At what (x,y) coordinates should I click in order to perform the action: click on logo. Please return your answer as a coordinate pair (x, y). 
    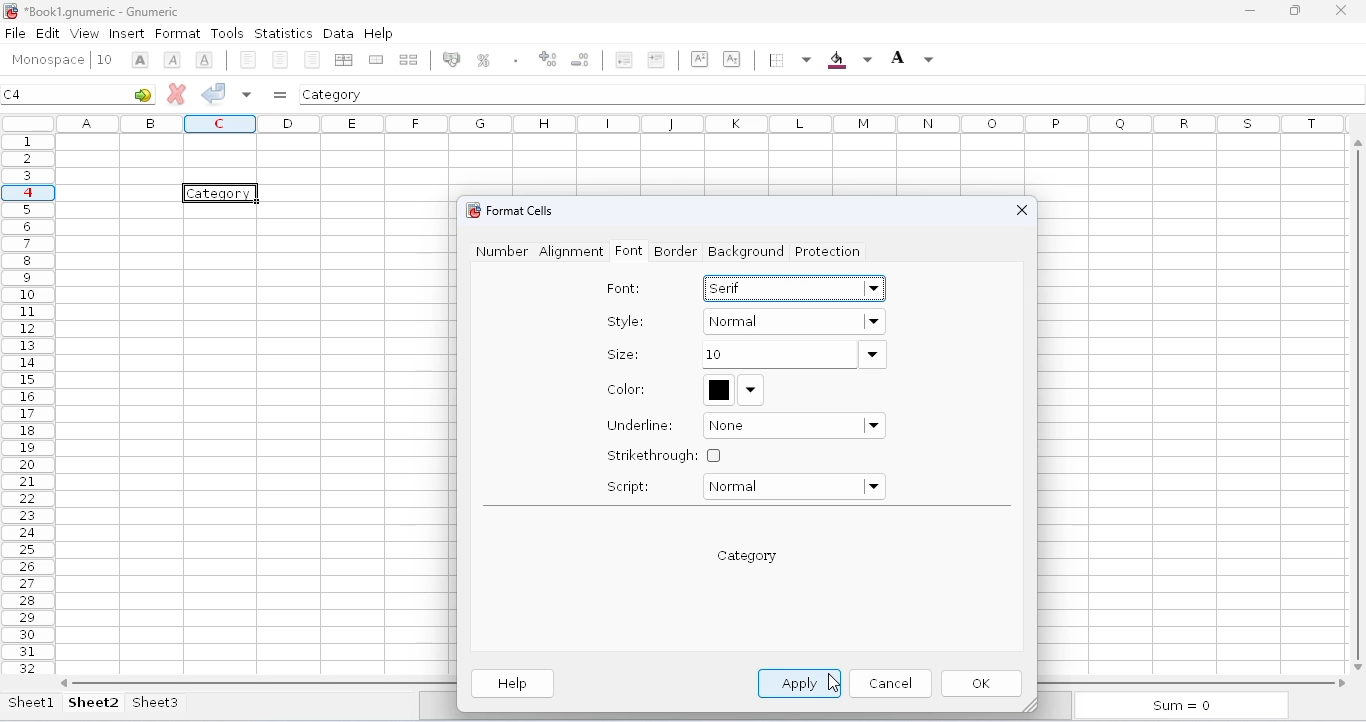
    Looking at the image, I should click on (471, 210).